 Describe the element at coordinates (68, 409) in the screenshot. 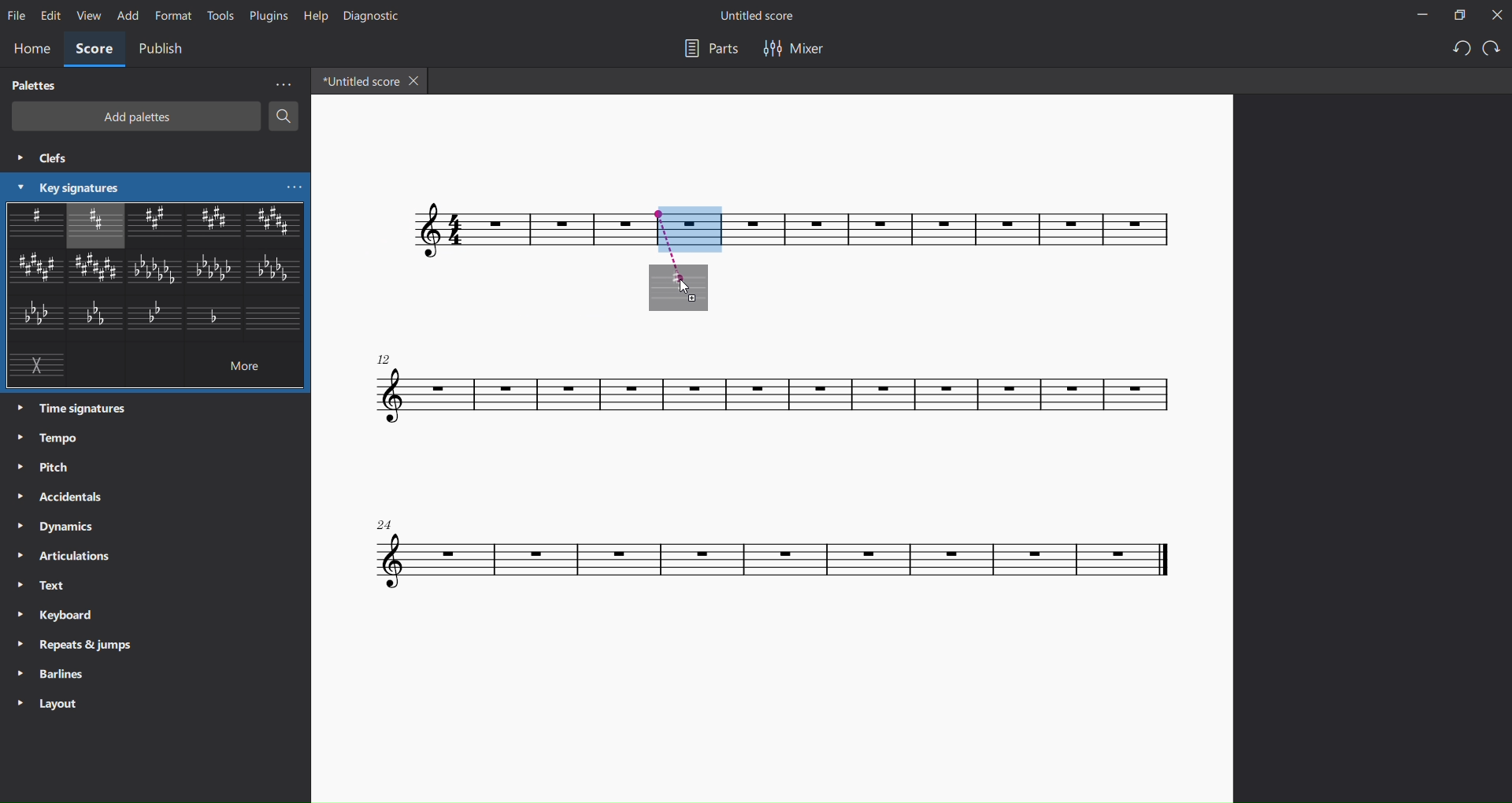

I see `time signatures` at that location.